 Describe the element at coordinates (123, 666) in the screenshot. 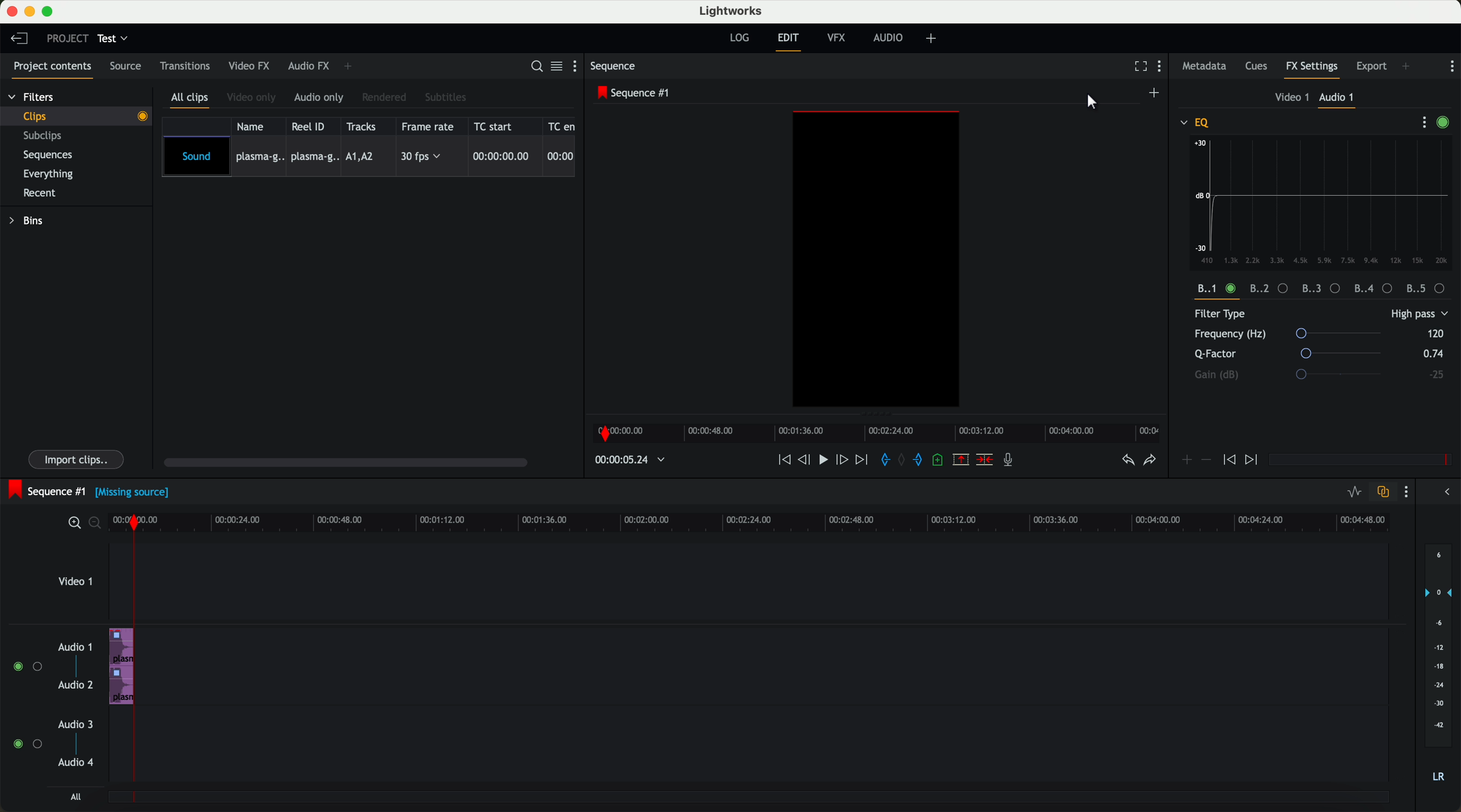

I see `audio with effect applied` at that location.